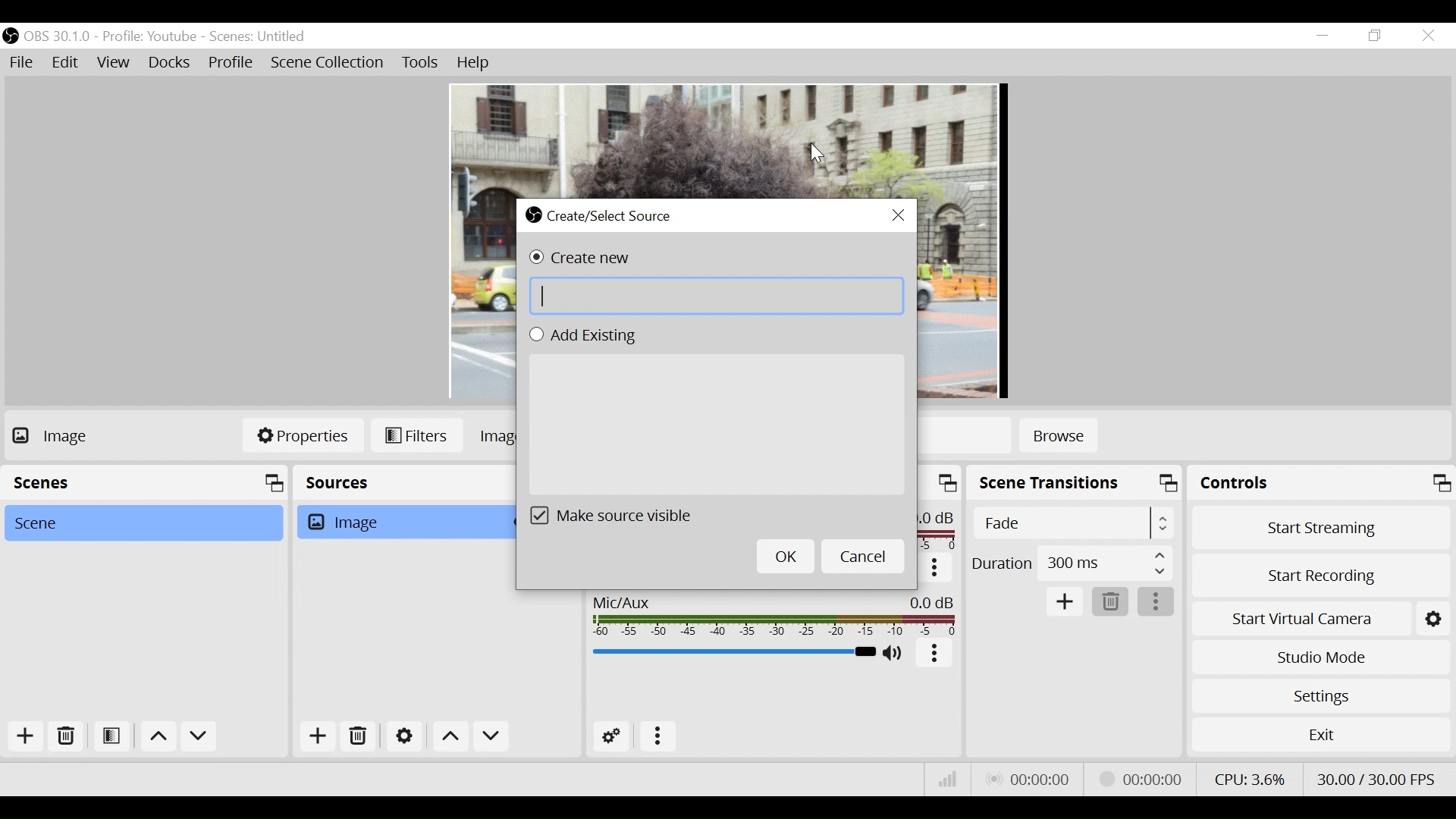 This screenshot has height=819, width=1456. I want to click on Add Existing Field, so click(720, 425).